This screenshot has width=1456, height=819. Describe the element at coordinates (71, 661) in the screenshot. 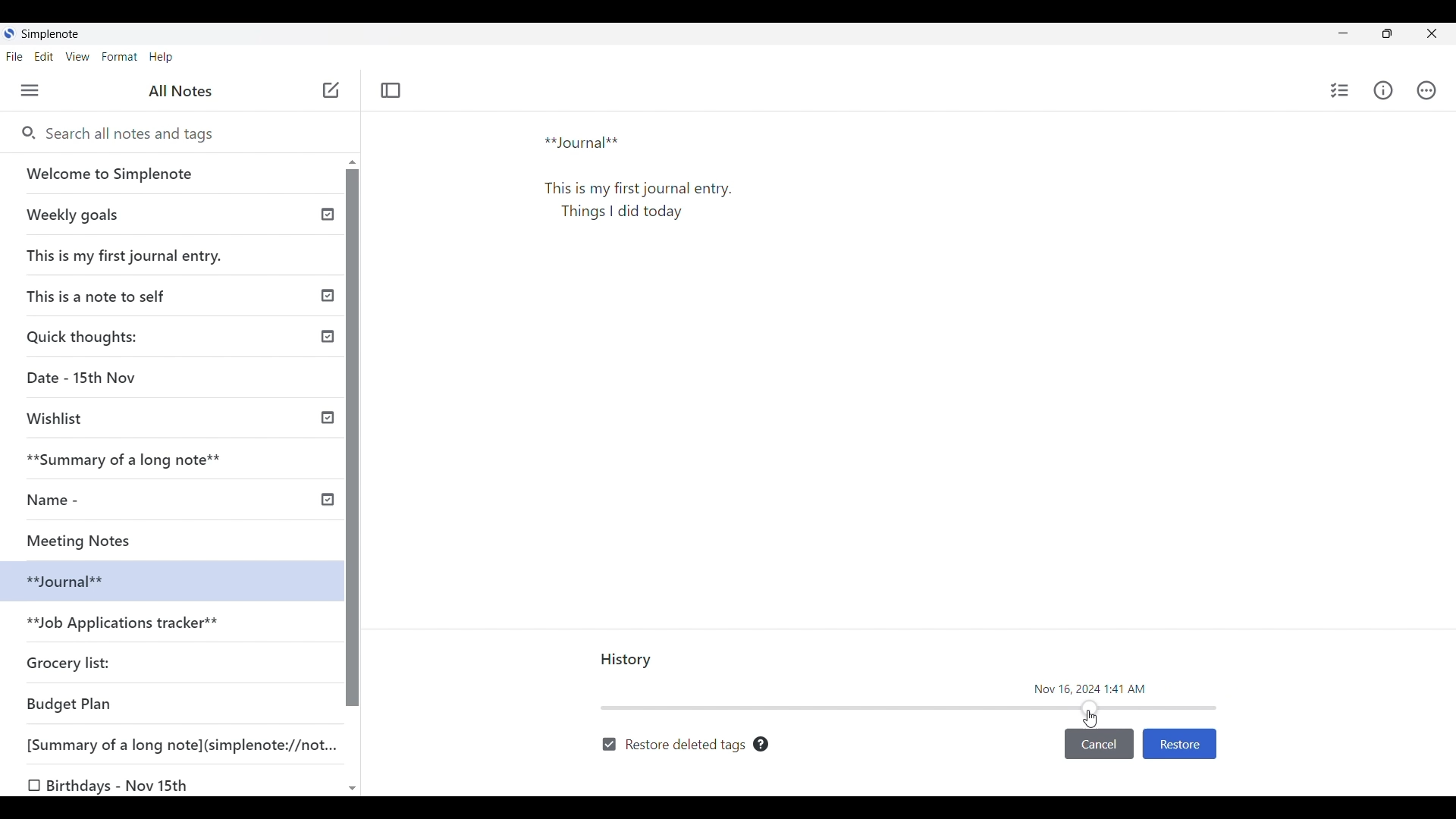

I see `Grocery list:` at that location.